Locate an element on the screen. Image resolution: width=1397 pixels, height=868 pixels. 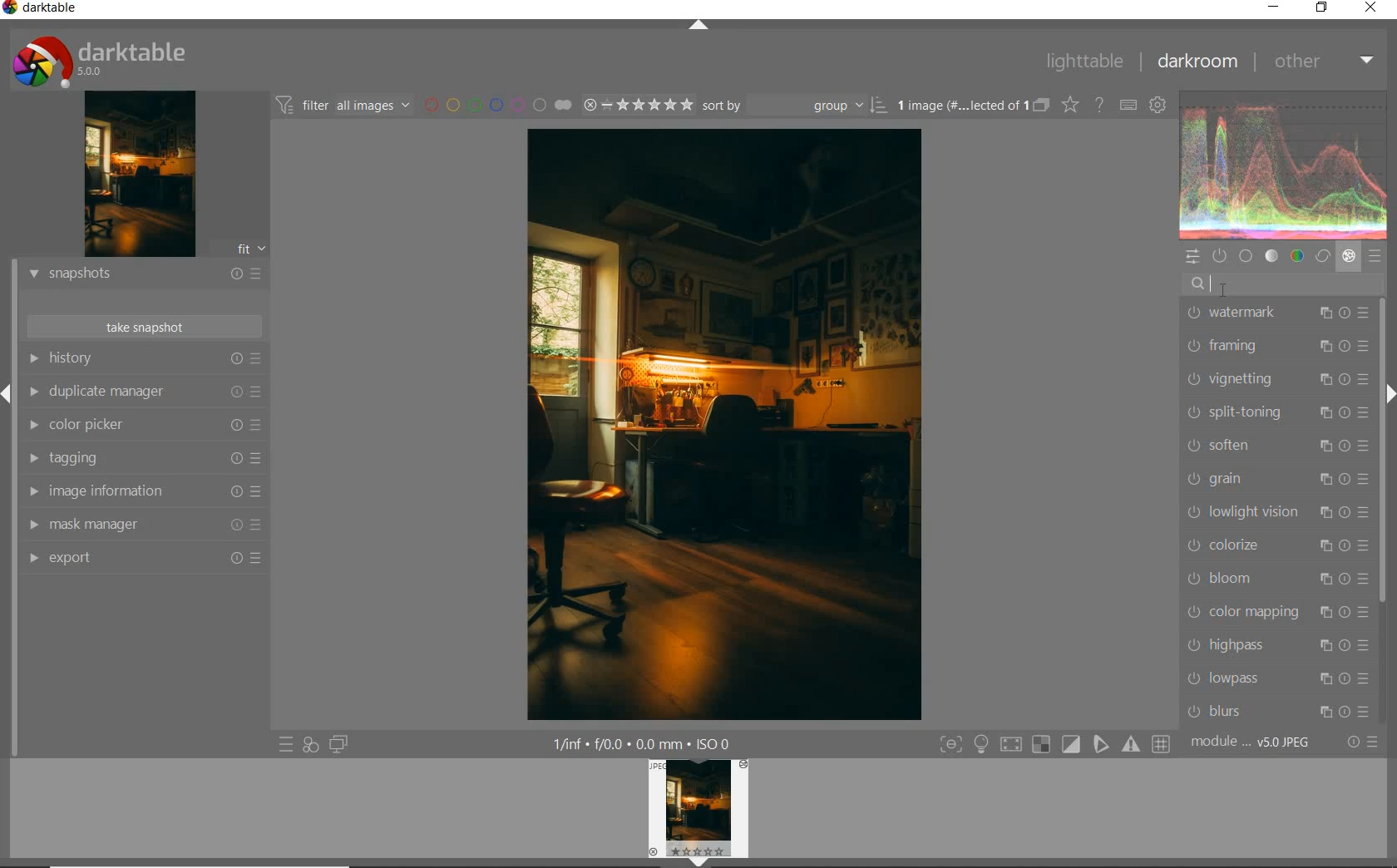
quick access panel is located at coordinates (1192, 256).